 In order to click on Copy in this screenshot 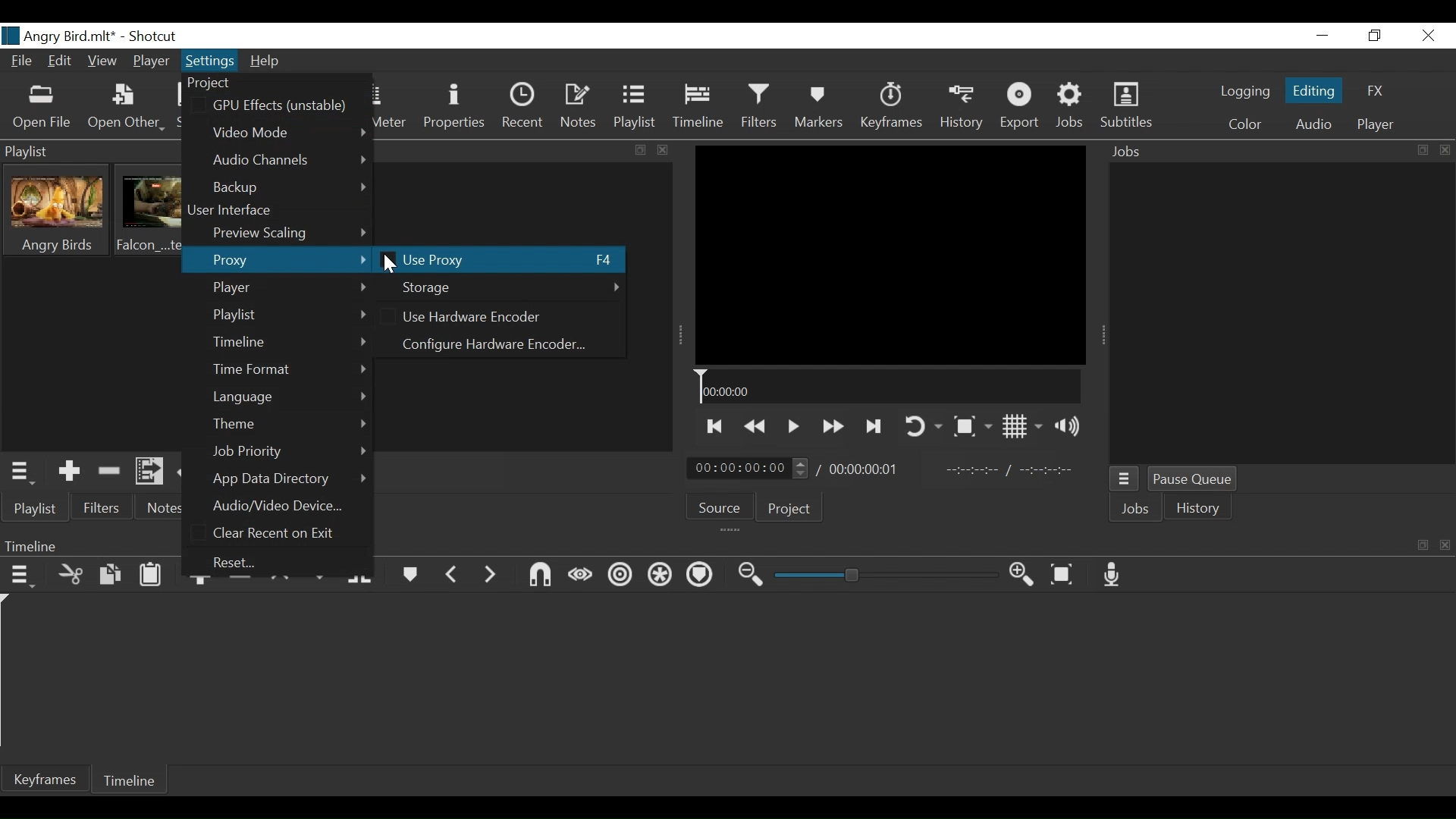, I will do `click(108, 574)`.